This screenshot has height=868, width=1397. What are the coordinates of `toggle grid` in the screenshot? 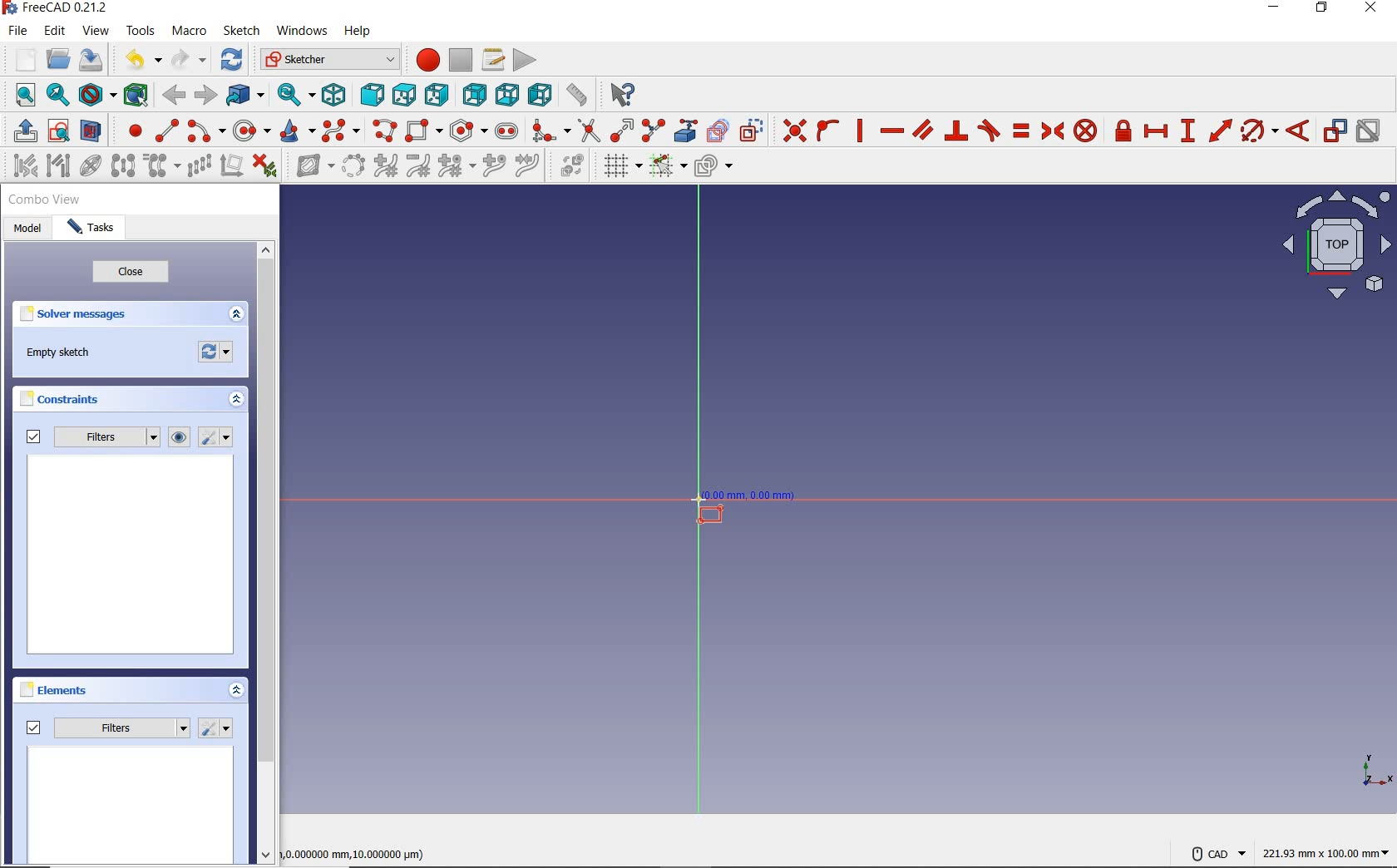 It's located at (619, 167).